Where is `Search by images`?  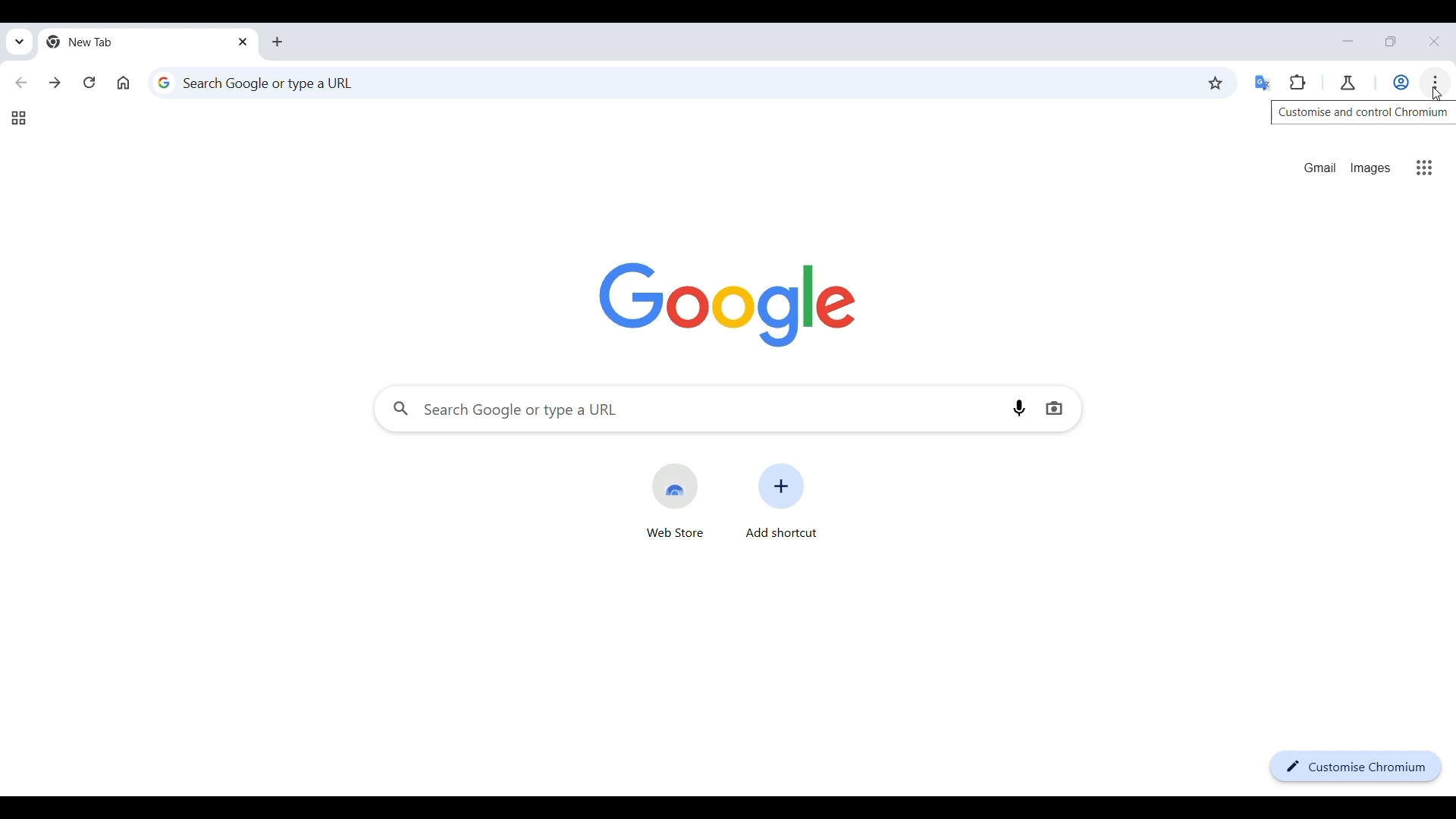
Search by images is located at coordinates (1372, 168).